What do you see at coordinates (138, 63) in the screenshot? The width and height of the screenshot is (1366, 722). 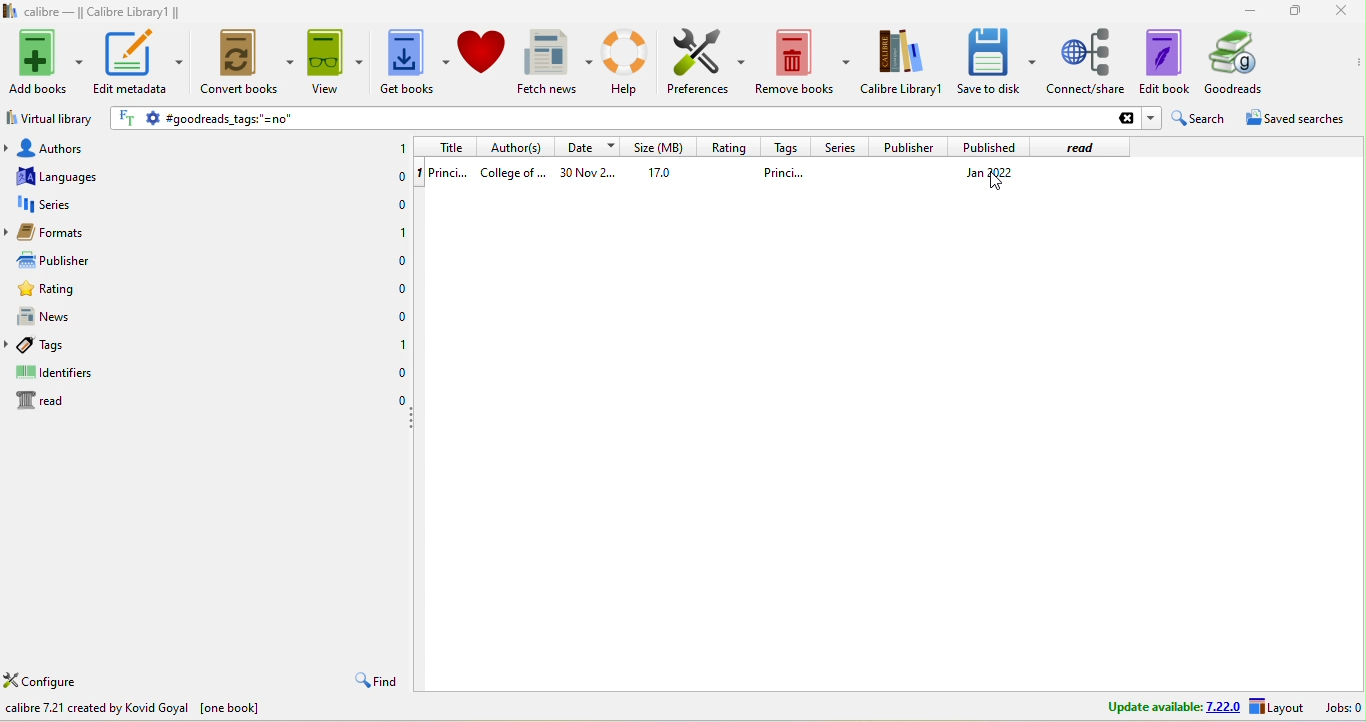 I see `edit metadata` at bounding box center [138, 63].